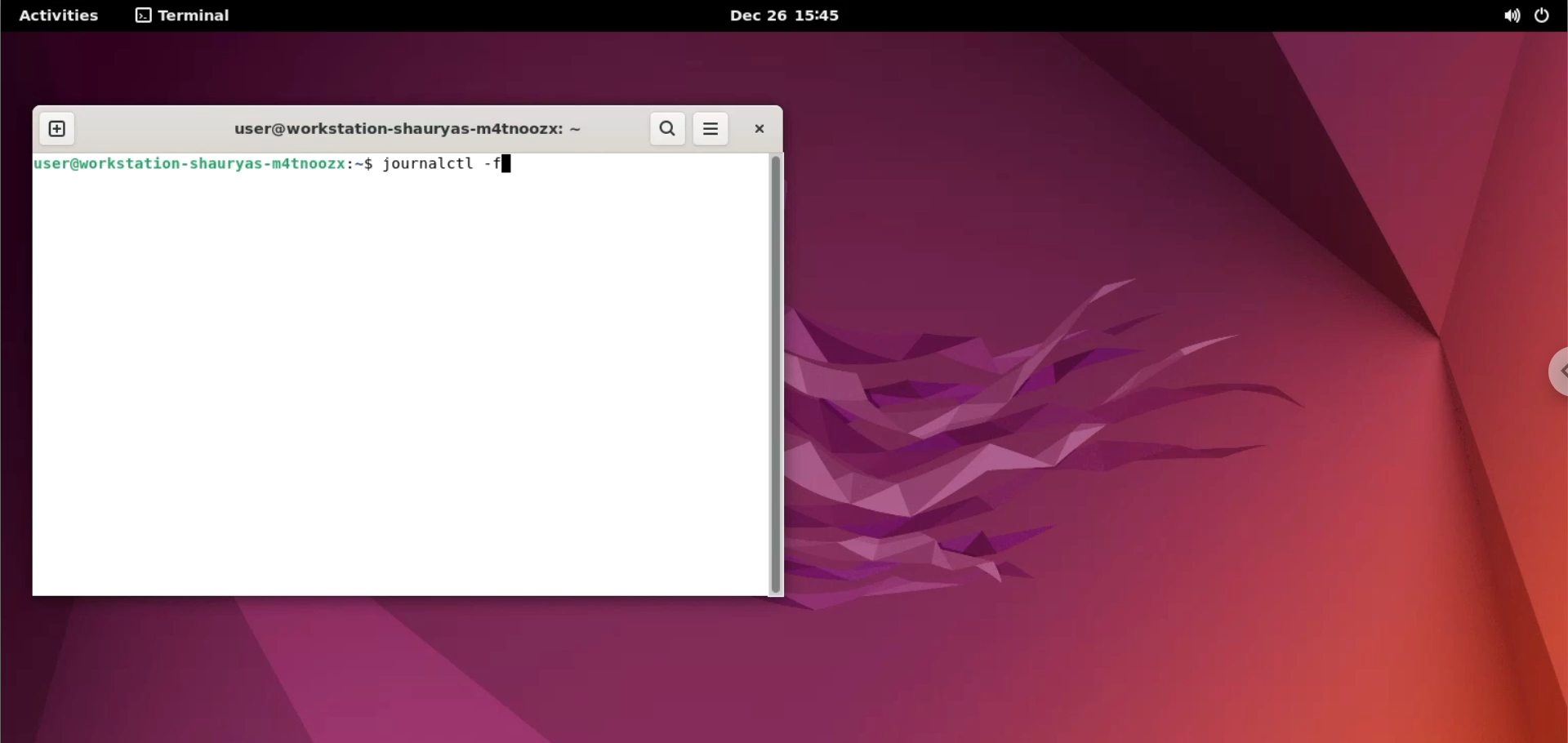 The image size is (1568, 743). Describe the element at coordinates (758, 128) in the screenshot. I see `close` at that location.